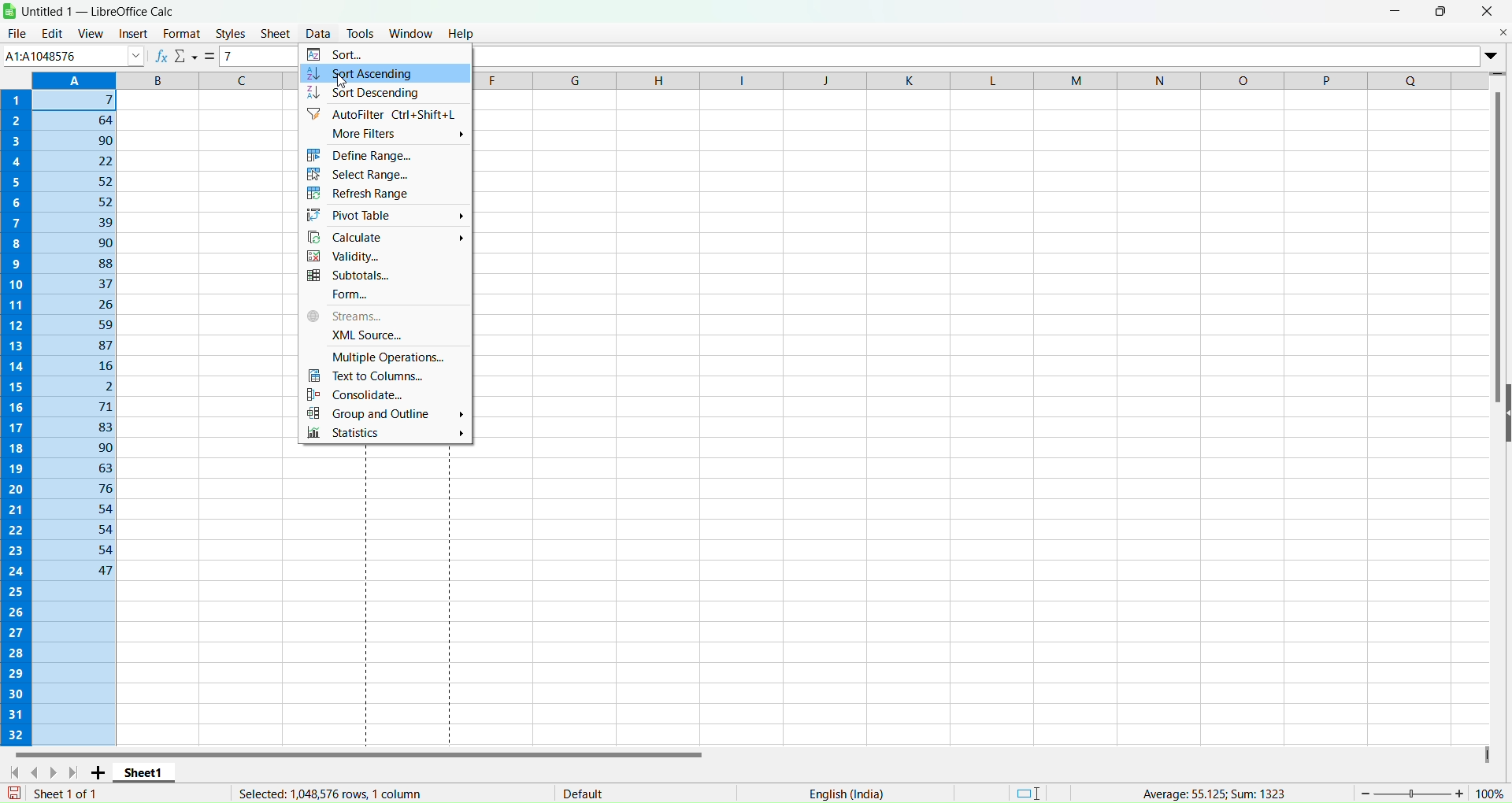 The width and height of the screenshot is (1512, 803). Describe the element at coordinates (182, 33) in the screenshot. I see `Format` at that location.